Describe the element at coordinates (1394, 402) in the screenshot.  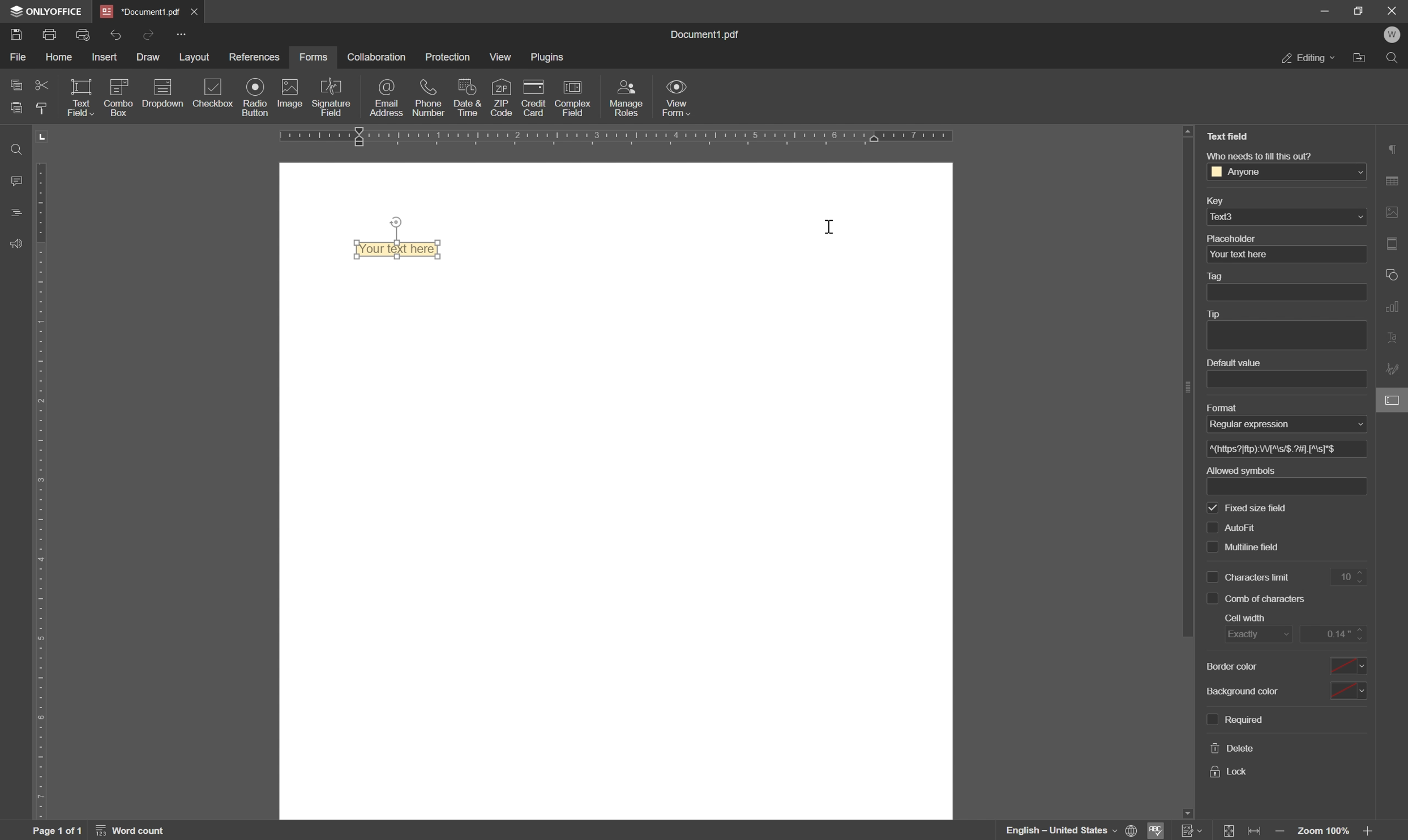
I see `form settings` at that location.